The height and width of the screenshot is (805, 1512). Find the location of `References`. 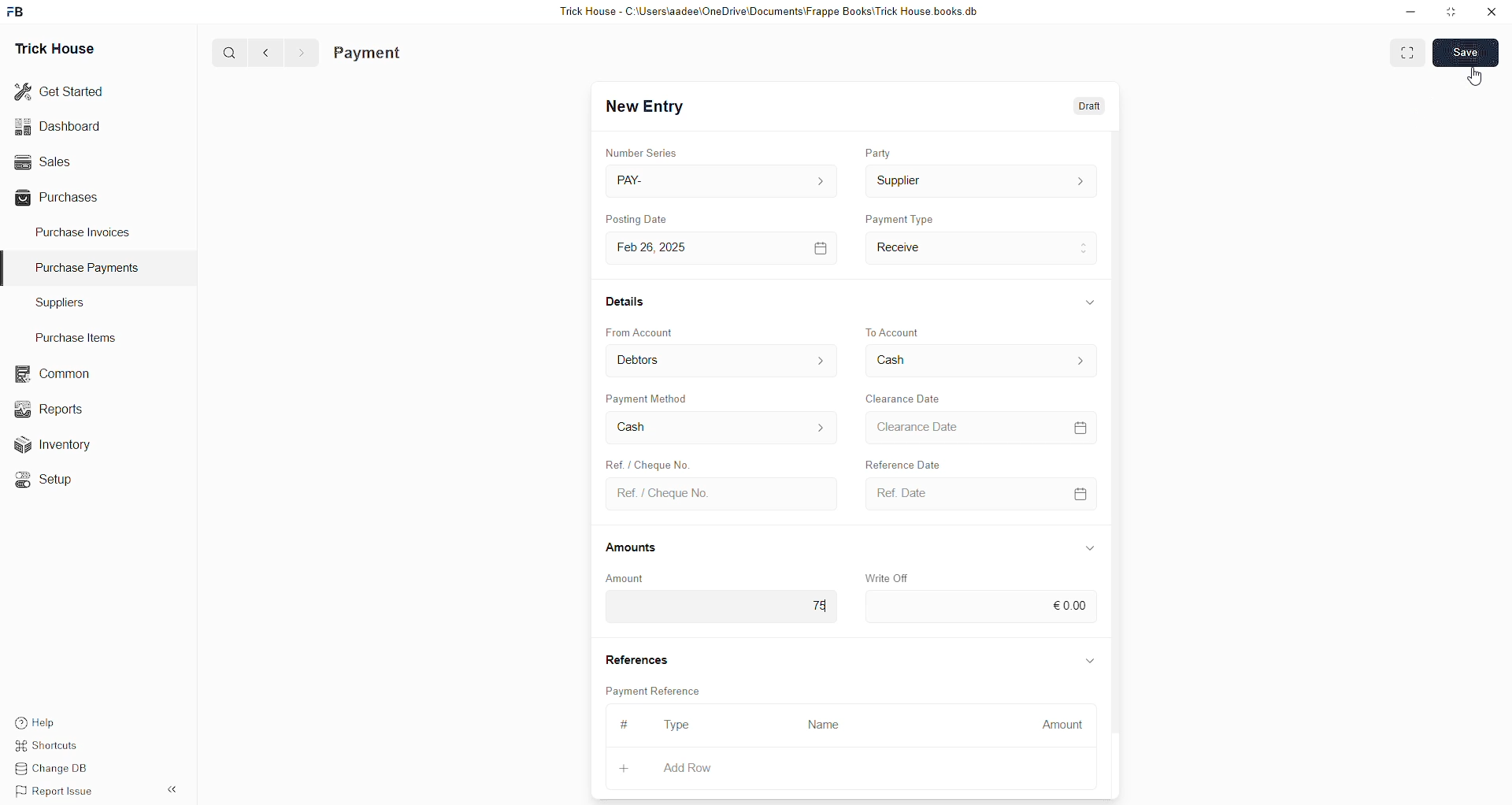

References is located at coordinates (636, 658).